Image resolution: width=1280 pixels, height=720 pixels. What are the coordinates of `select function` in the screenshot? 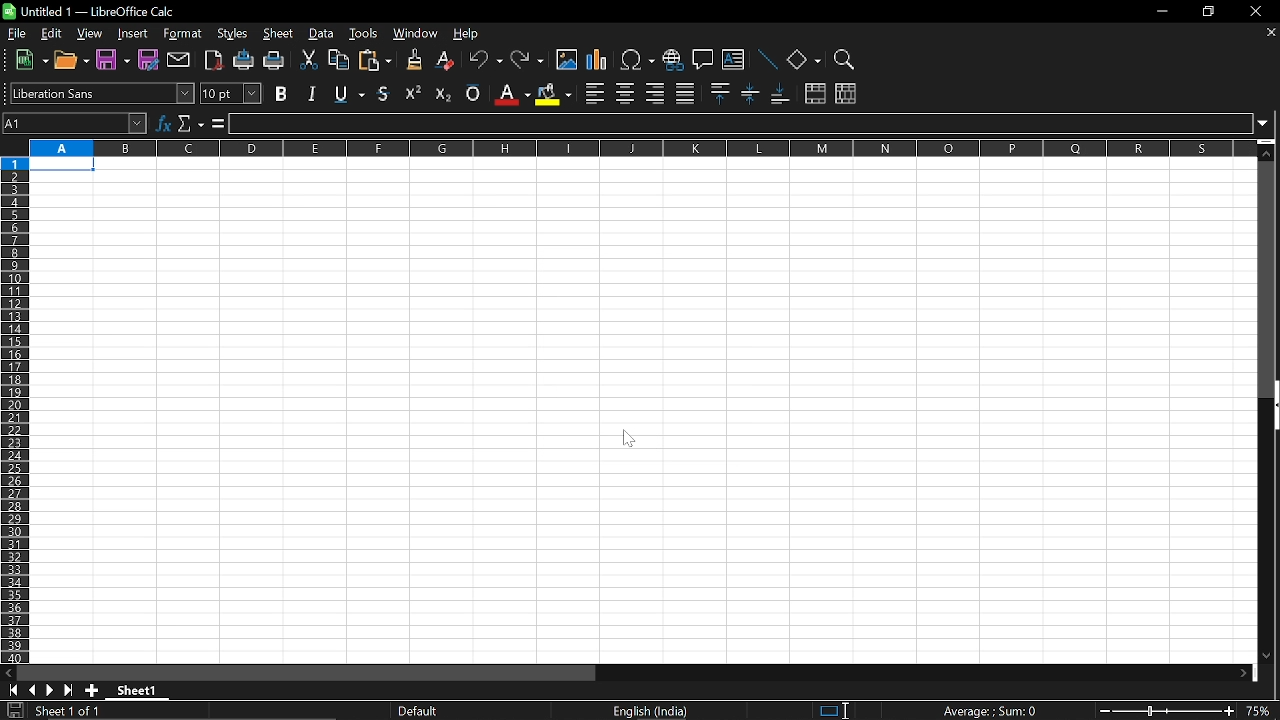 It's located at (190, 121).